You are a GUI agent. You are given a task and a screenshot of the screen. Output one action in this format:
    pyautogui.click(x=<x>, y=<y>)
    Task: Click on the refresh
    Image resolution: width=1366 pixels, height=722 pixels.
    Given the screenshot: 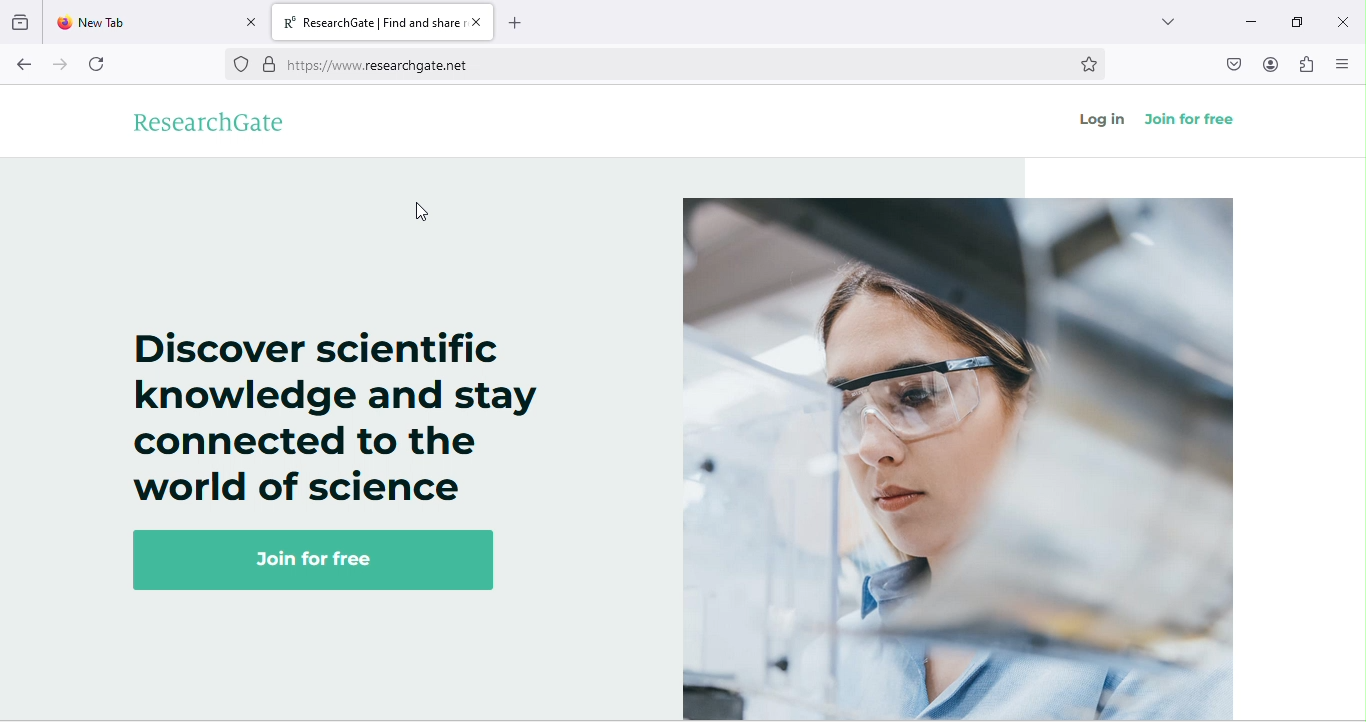 What is the action you would take?
    pyautogui.click(x=105, y=61)
    